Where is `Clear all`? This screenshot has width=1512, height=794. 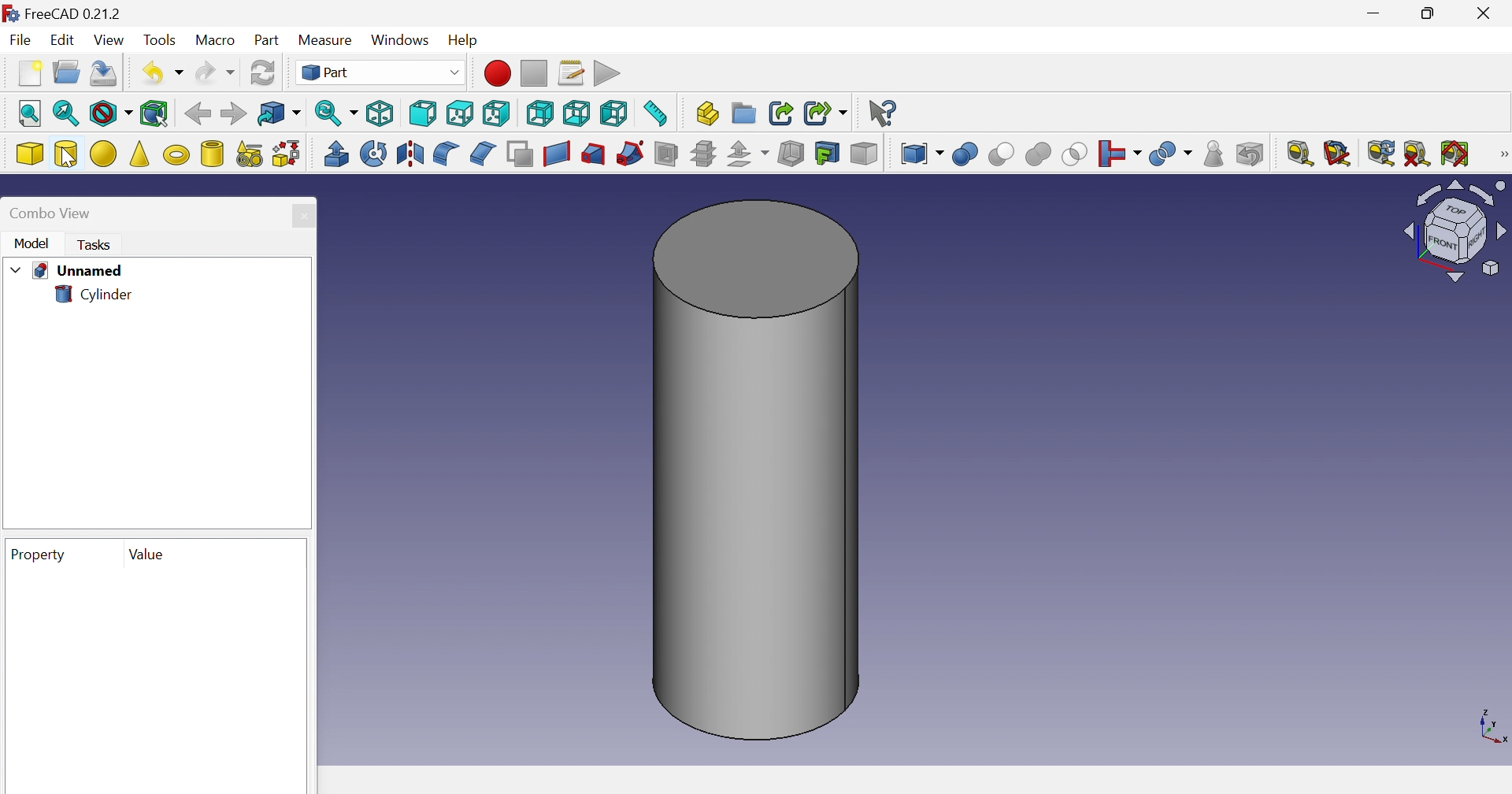 Clear all is located at coordinates (1417, 155).